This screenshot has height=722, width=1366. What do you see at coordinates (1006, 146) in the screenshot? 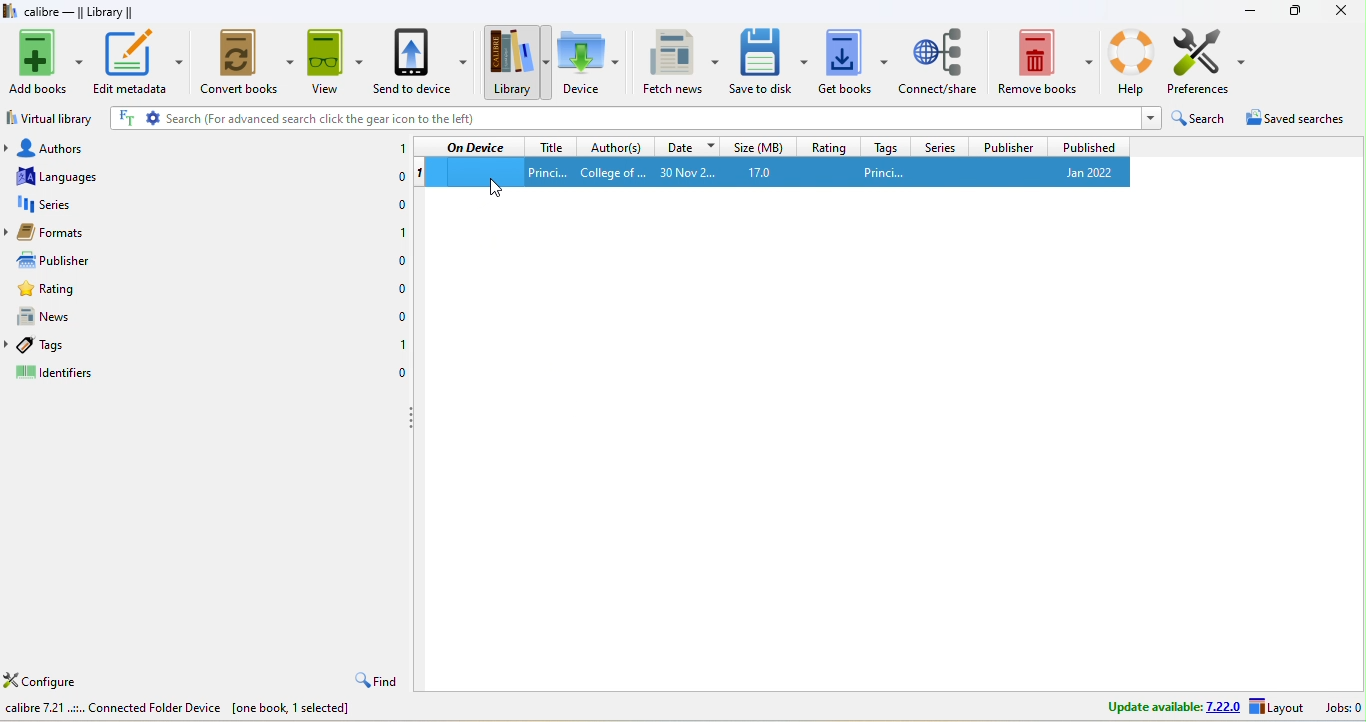
I see `publisher` at bounding box center [1006, 146].